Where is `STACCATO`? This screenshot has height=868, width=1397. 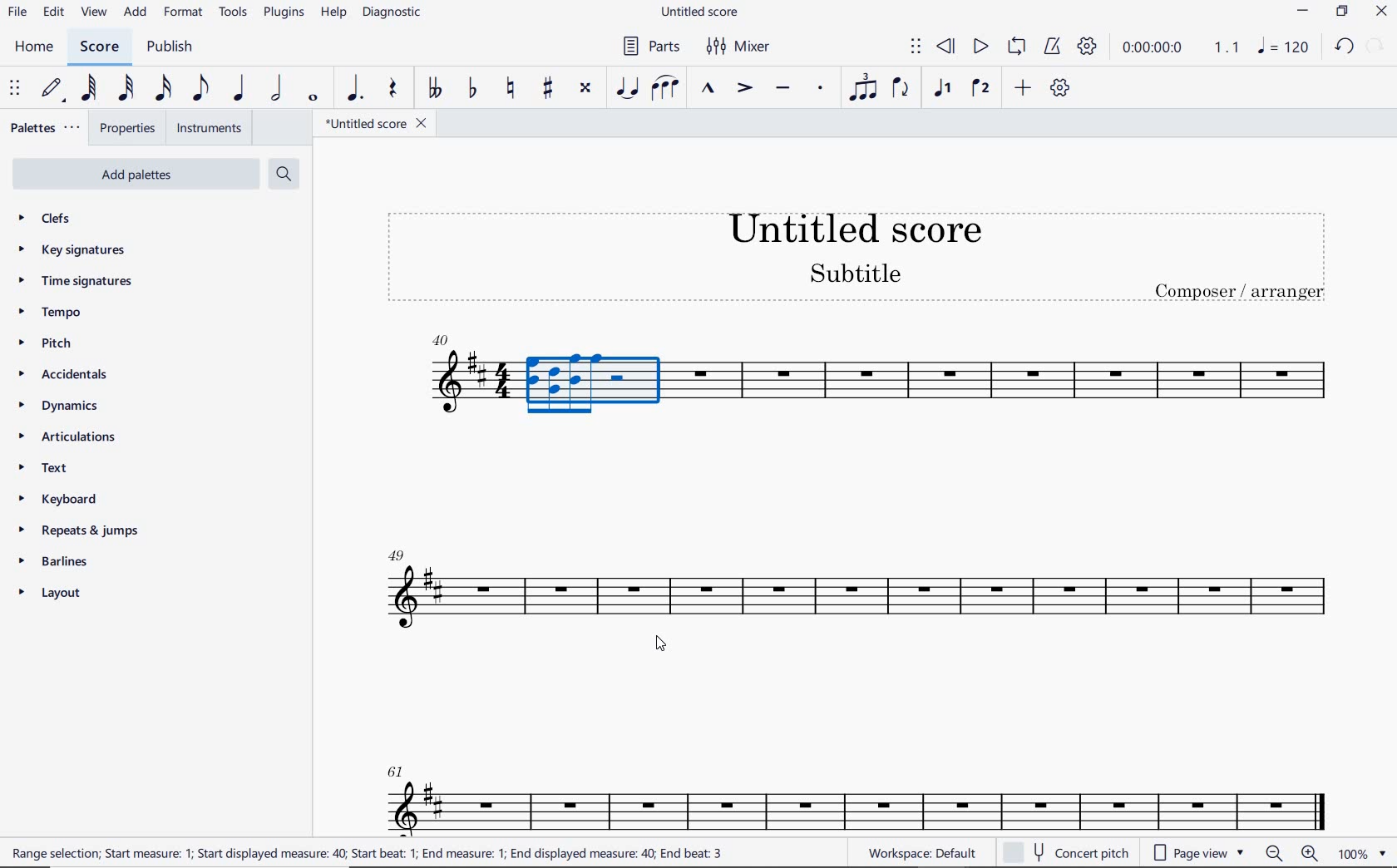
STACCATO is located at coordinates (820, 89).